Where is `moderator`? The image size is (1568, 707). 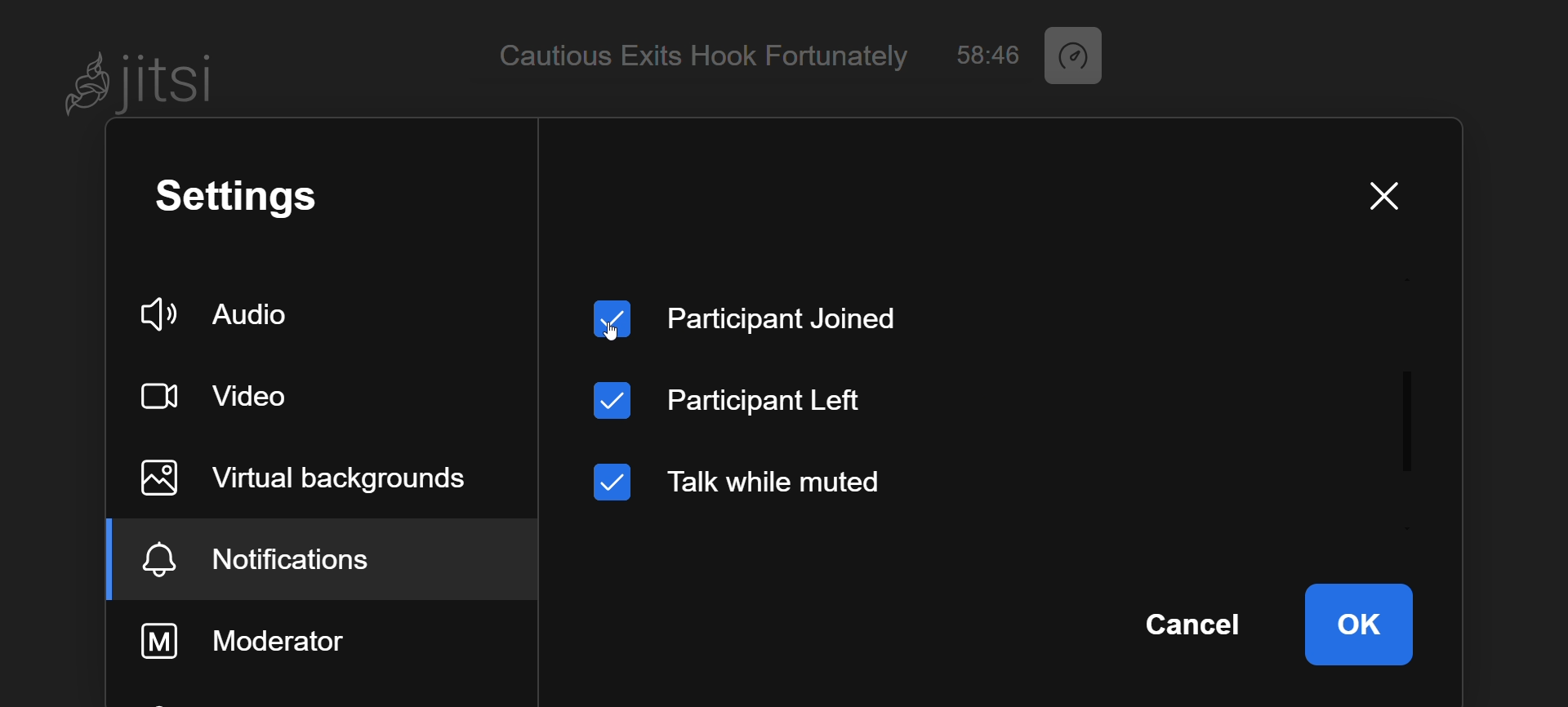 moderator is located at coordinates (270, 642).